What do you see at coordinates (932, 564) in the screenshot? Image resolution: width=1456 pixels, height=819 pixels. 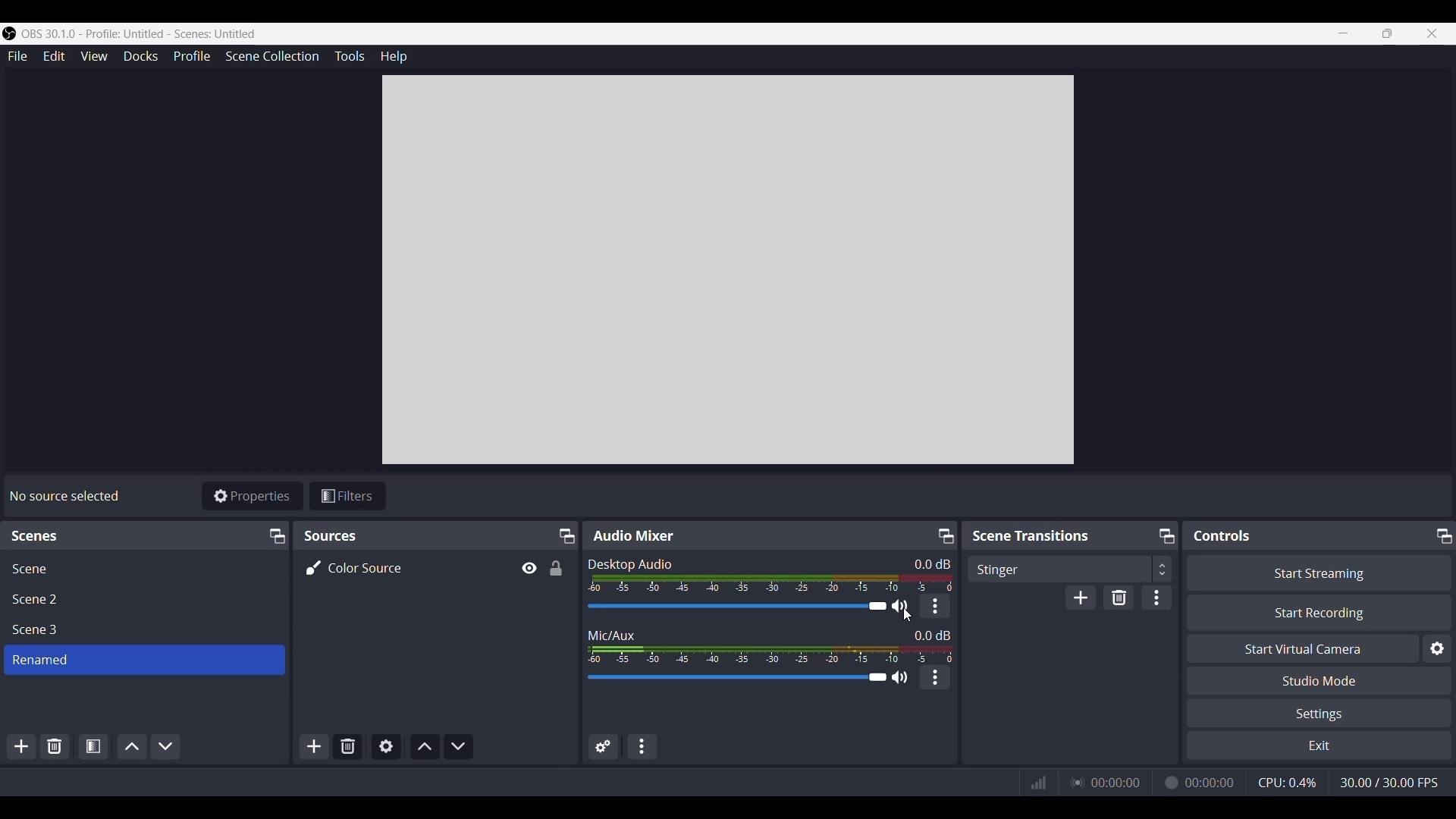 I see `Current volume of Desktop audio` at bounding box center [932, 564].